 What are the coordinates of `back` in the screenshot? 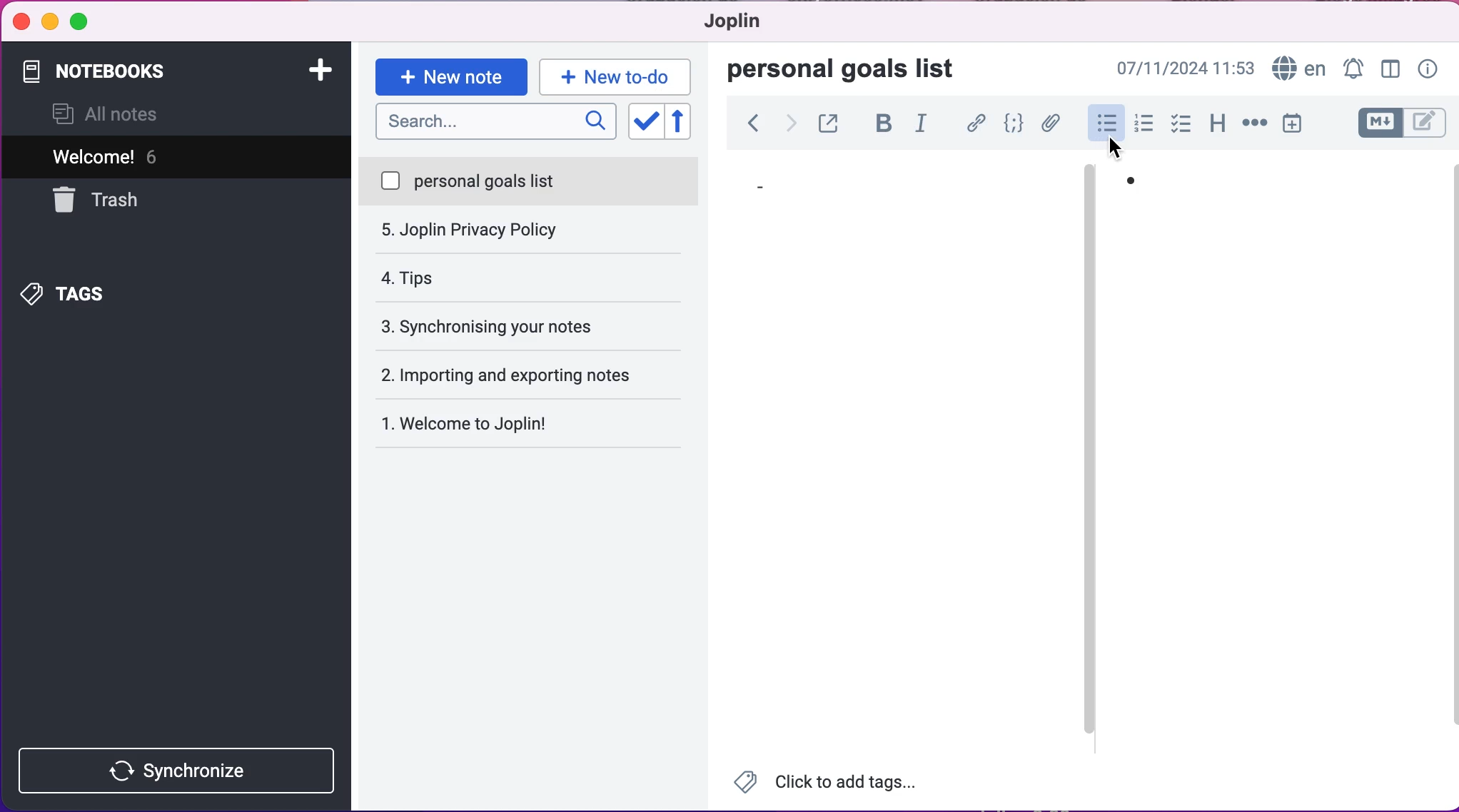 It's located at (753, 126).